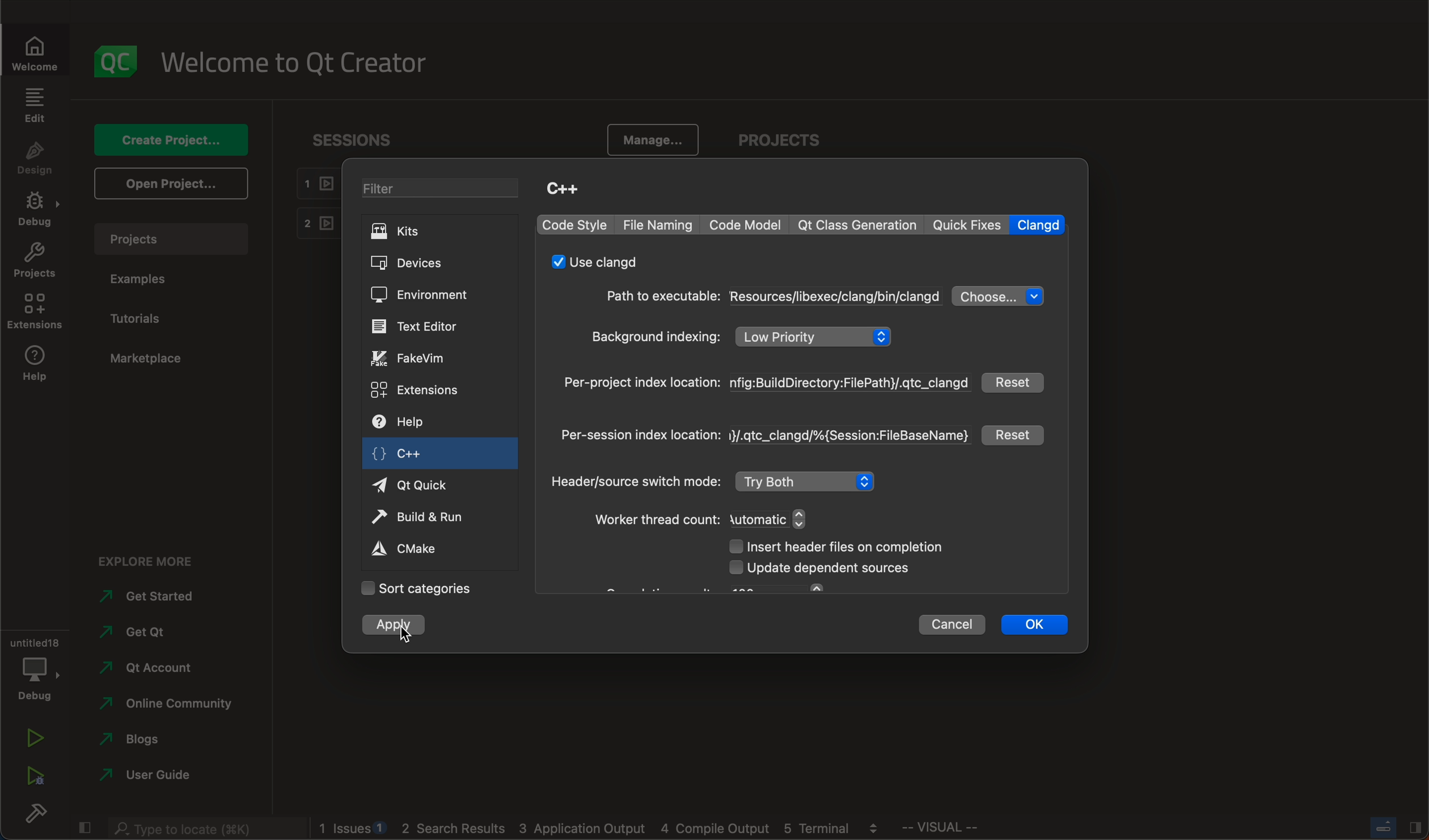 The height and width of the screenshot is (840, 1429). What do you see at coordinates (967, 224) in the screenshot?
I see `quick fixes` at bounding box center [967, 224].